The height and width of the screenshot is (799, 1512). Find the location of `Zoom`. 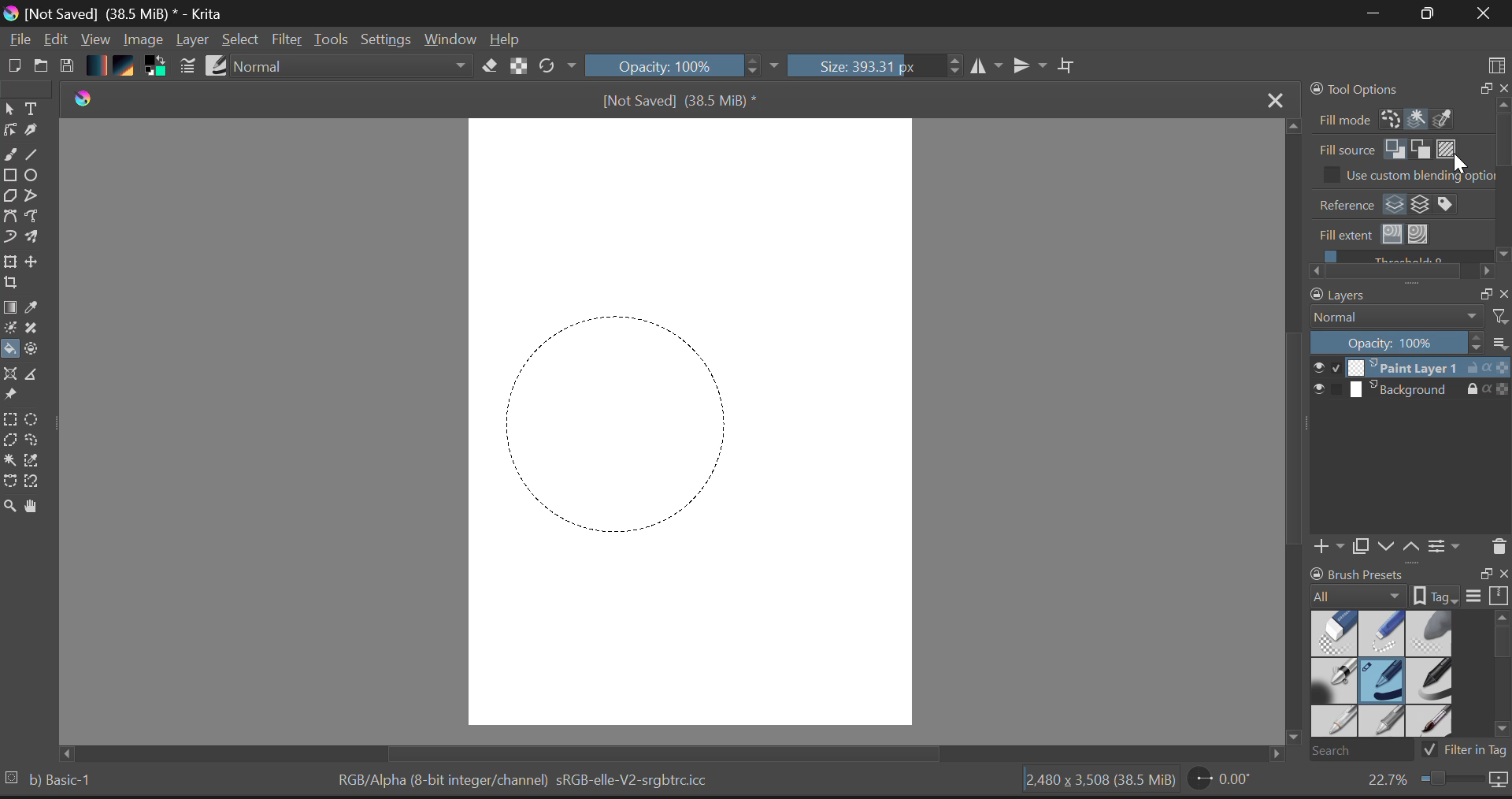

Zoom is located at coordinates (9, 504).